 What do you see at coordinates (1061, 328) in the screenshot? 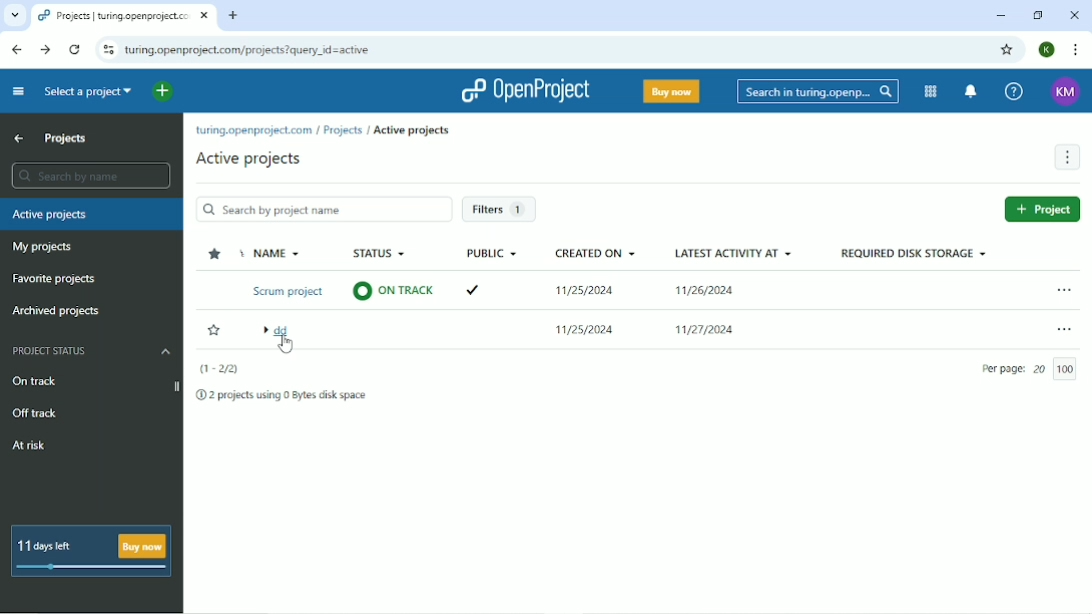
I see `More` at bounding box center [1061, 328].